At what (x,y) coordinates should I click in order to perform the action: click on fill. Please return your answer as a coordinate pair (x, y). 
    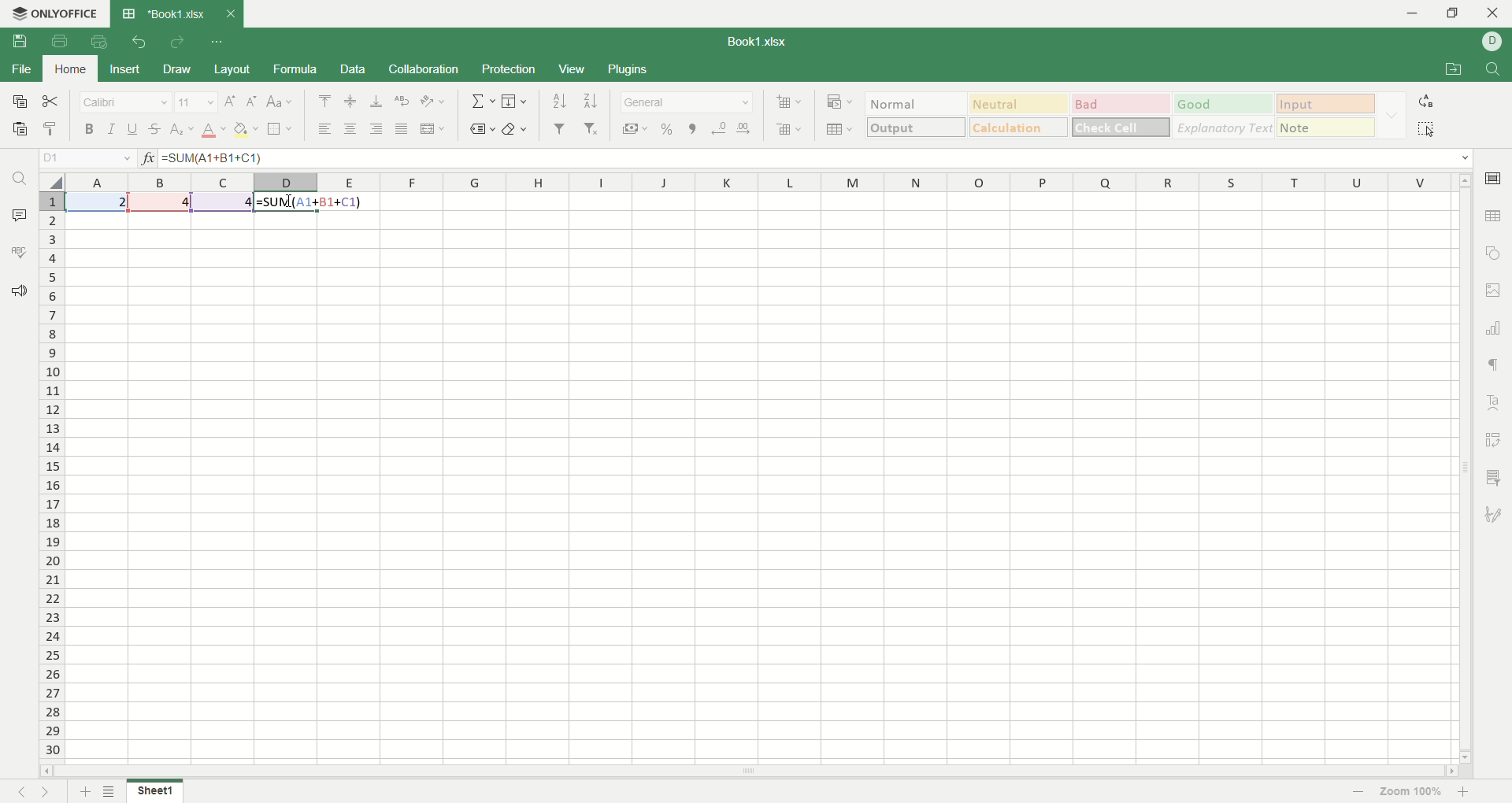
    Looking at the image, I should click on (517, 102).